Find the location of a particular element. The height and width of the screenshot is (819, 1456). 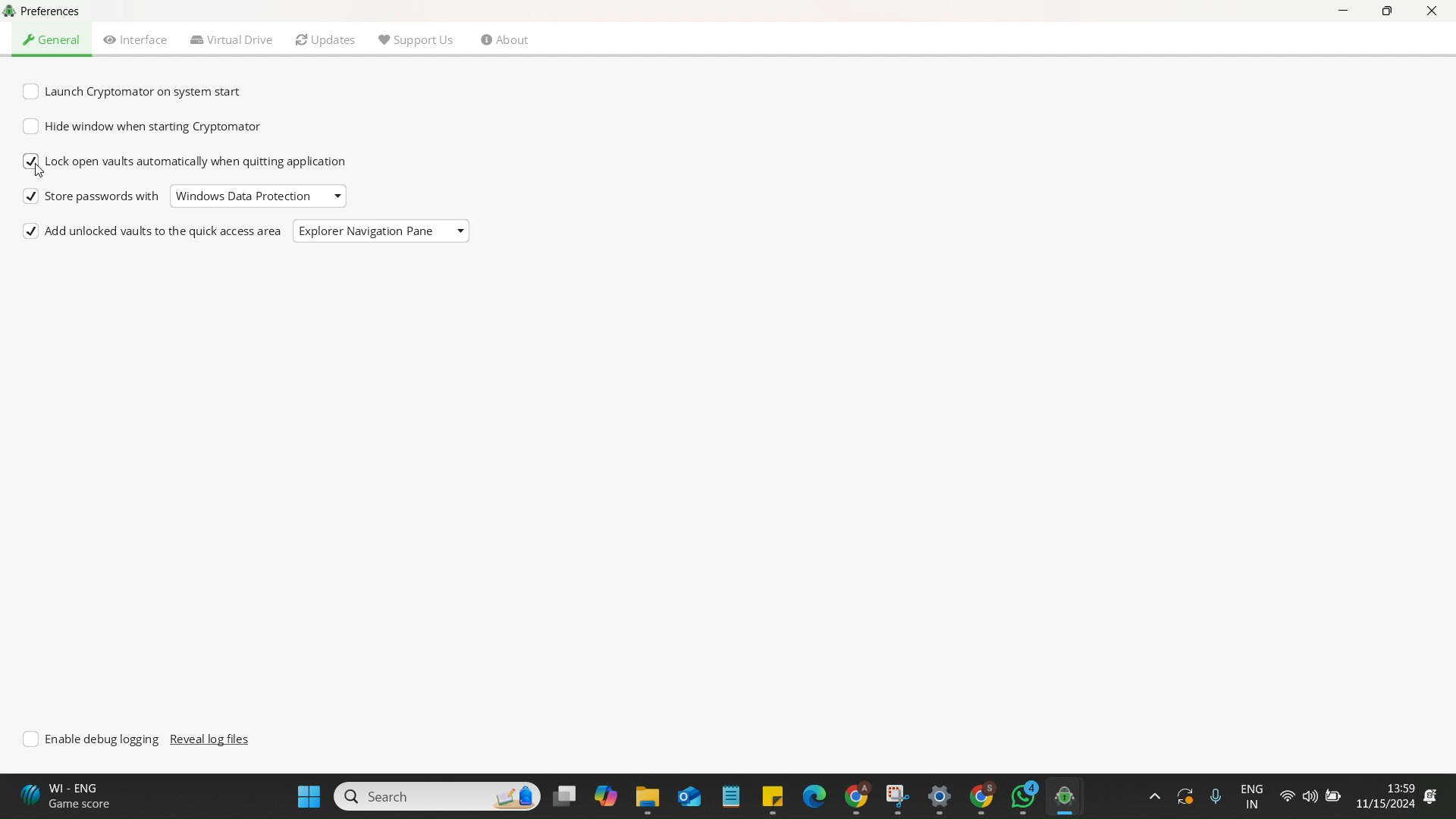

Add Unlocked vaults to the quick access area is located at coordinates (154, 233).